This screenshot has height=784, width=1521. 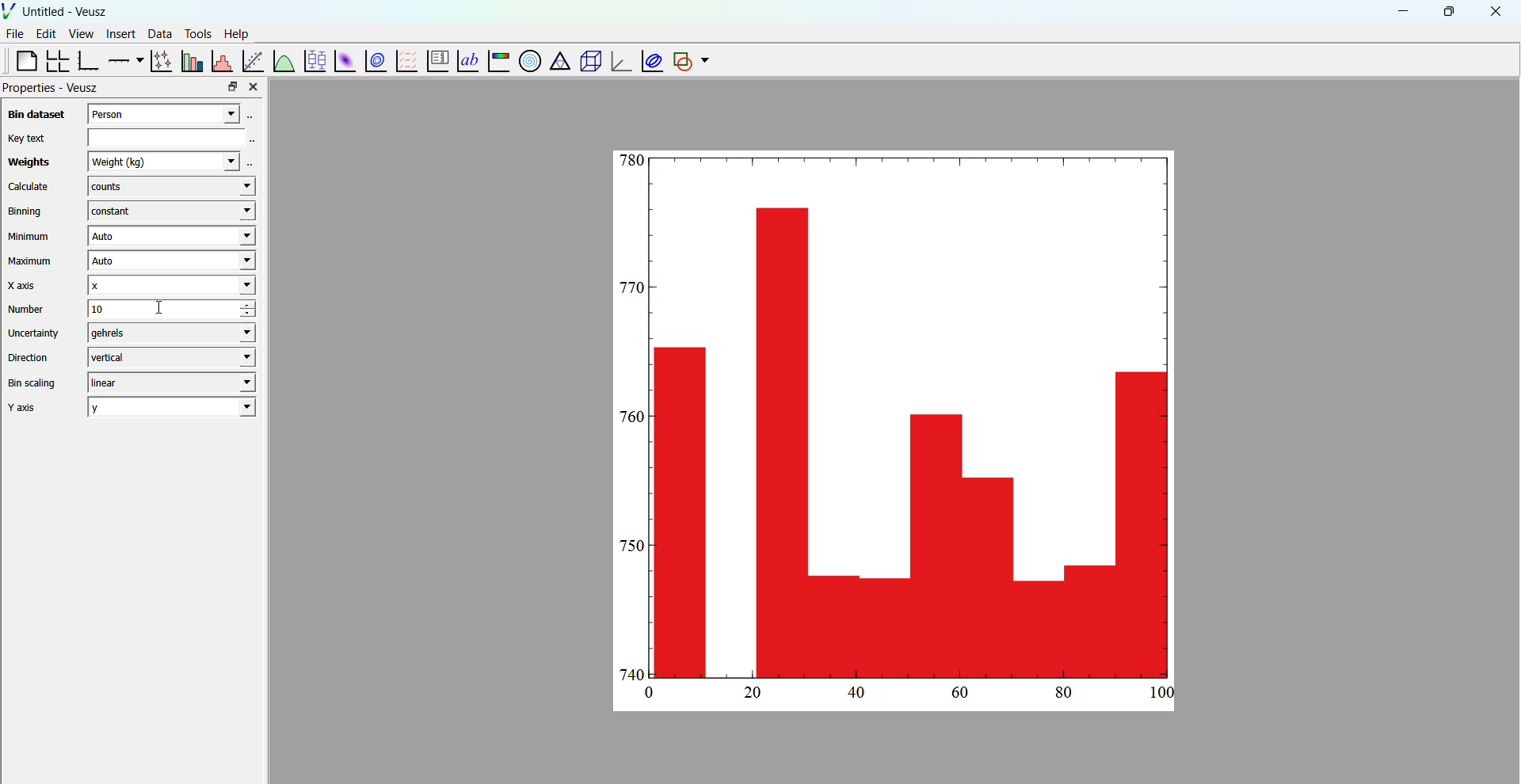 I want to click on constant , so click(x=168, y=211).